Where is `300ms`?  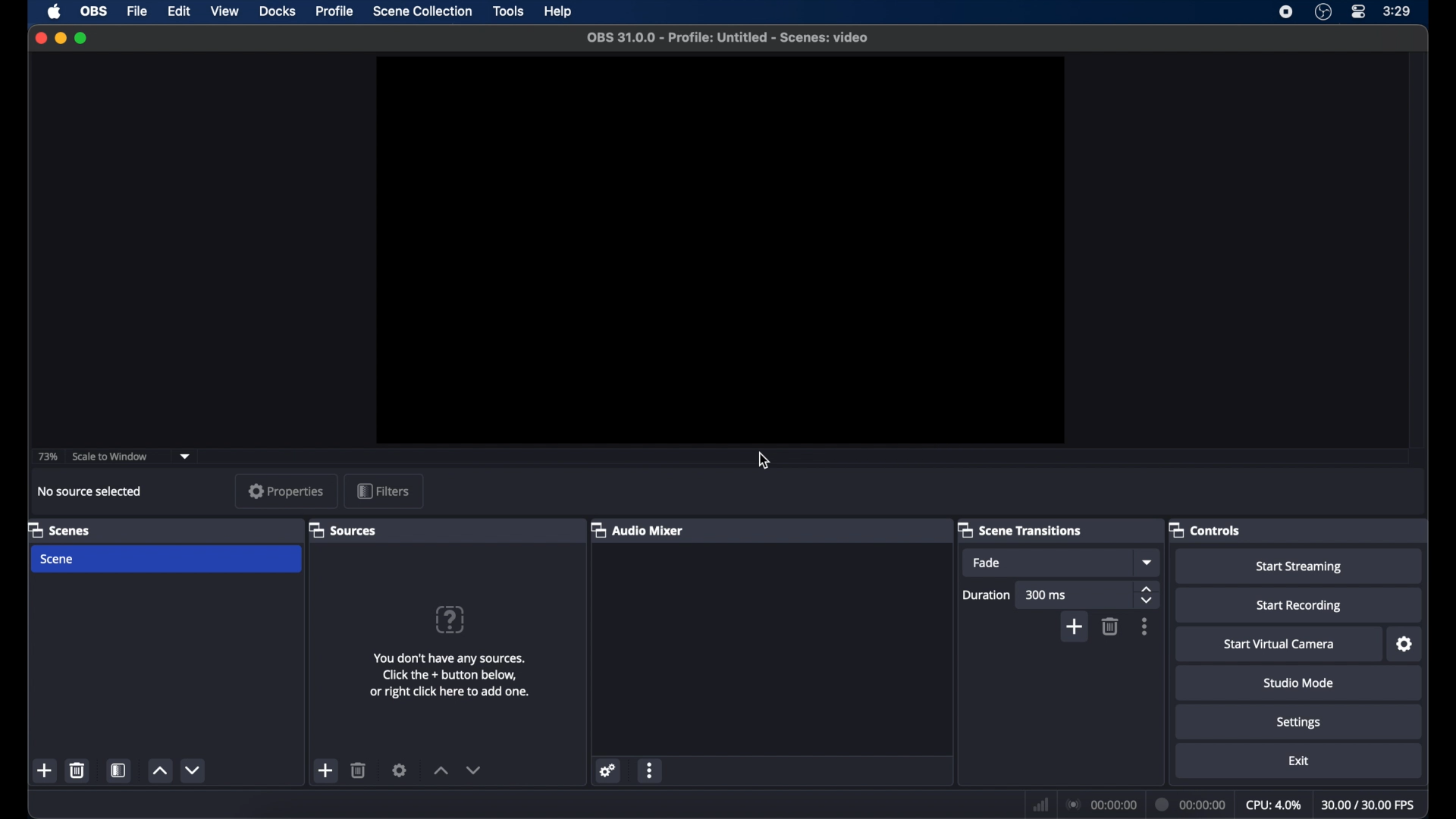 300ms is located at coordinates (1046, 595).